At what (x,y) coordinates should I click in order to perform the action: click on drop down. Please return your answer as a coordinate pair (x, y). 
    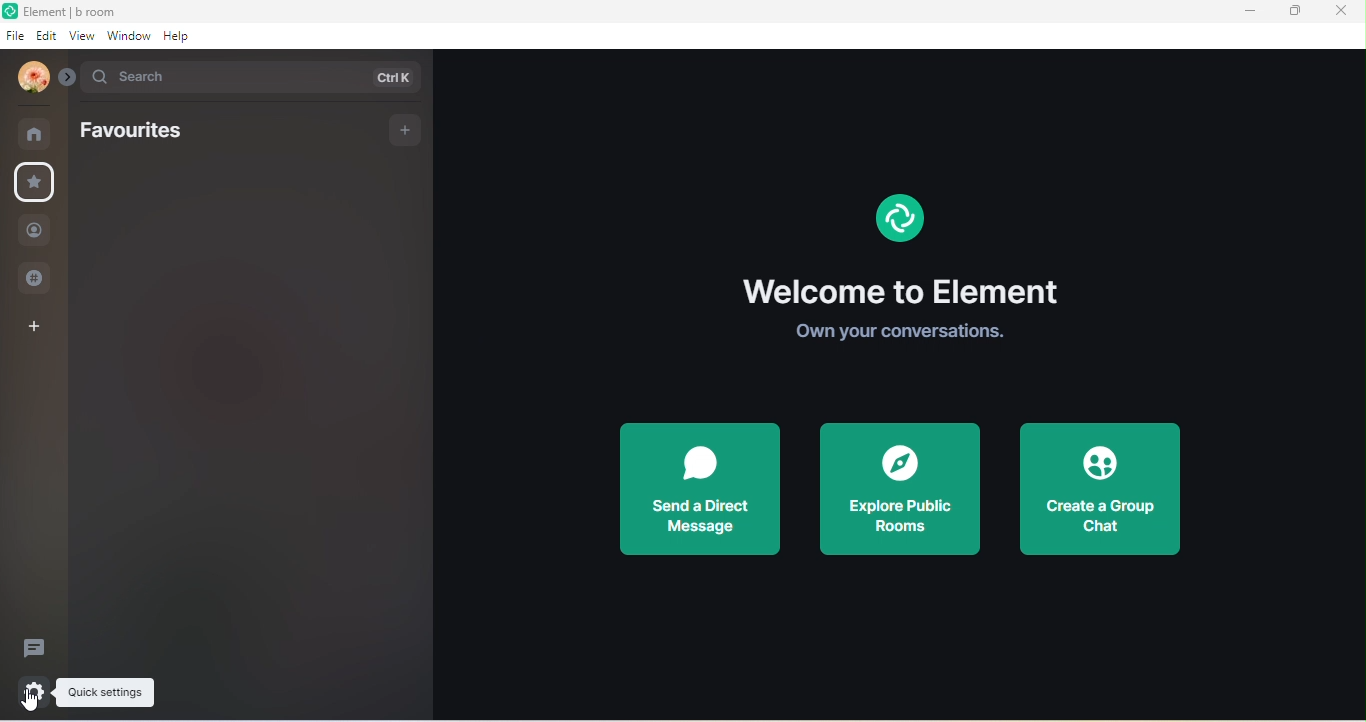
    Looking at the image, I should click on (69, 79).